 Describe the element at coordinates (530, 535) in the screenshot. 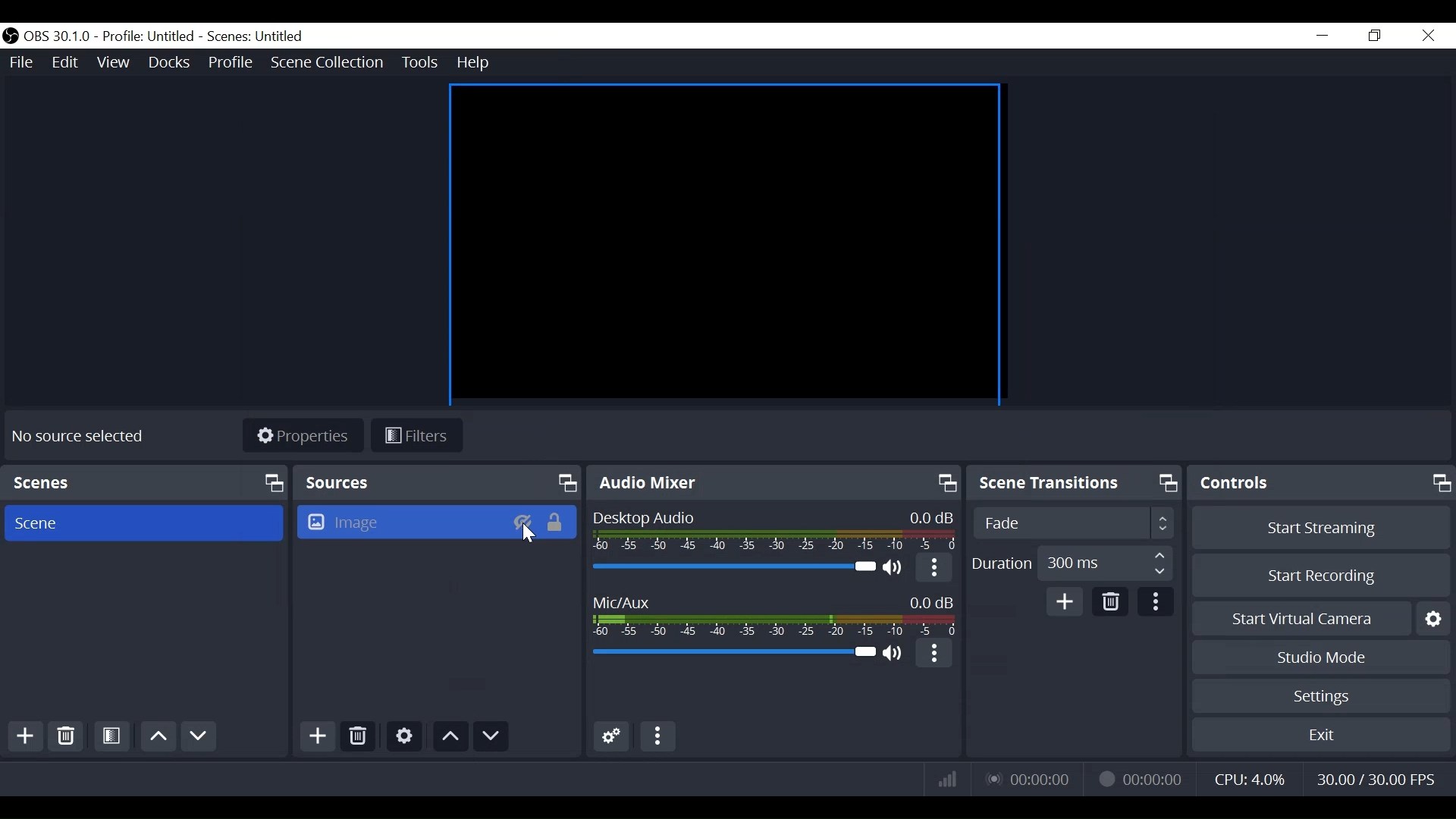

I see `Cursor` at that location.